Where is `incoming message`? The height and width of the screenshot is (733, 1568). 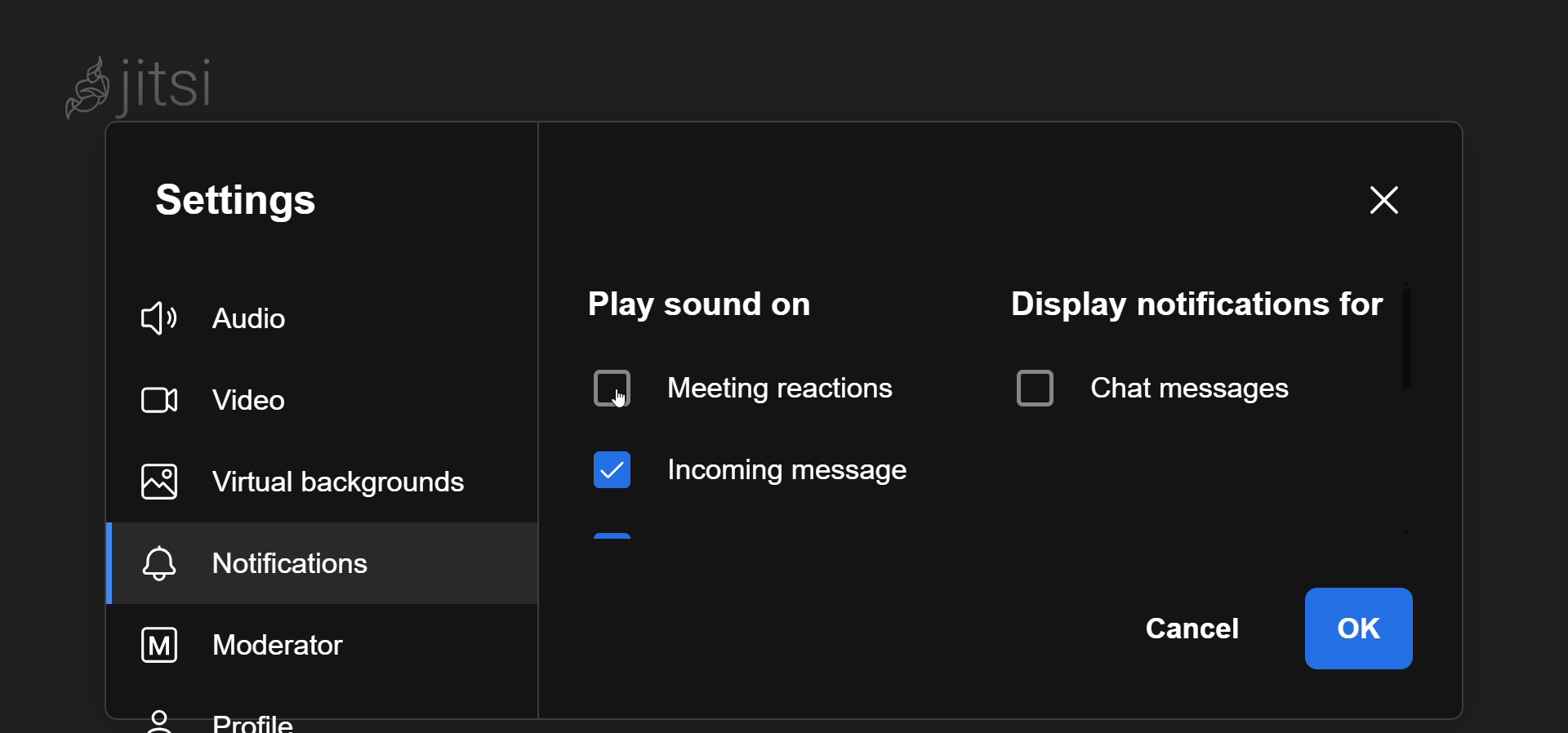
incoming message is located at coordinates (749, 469).